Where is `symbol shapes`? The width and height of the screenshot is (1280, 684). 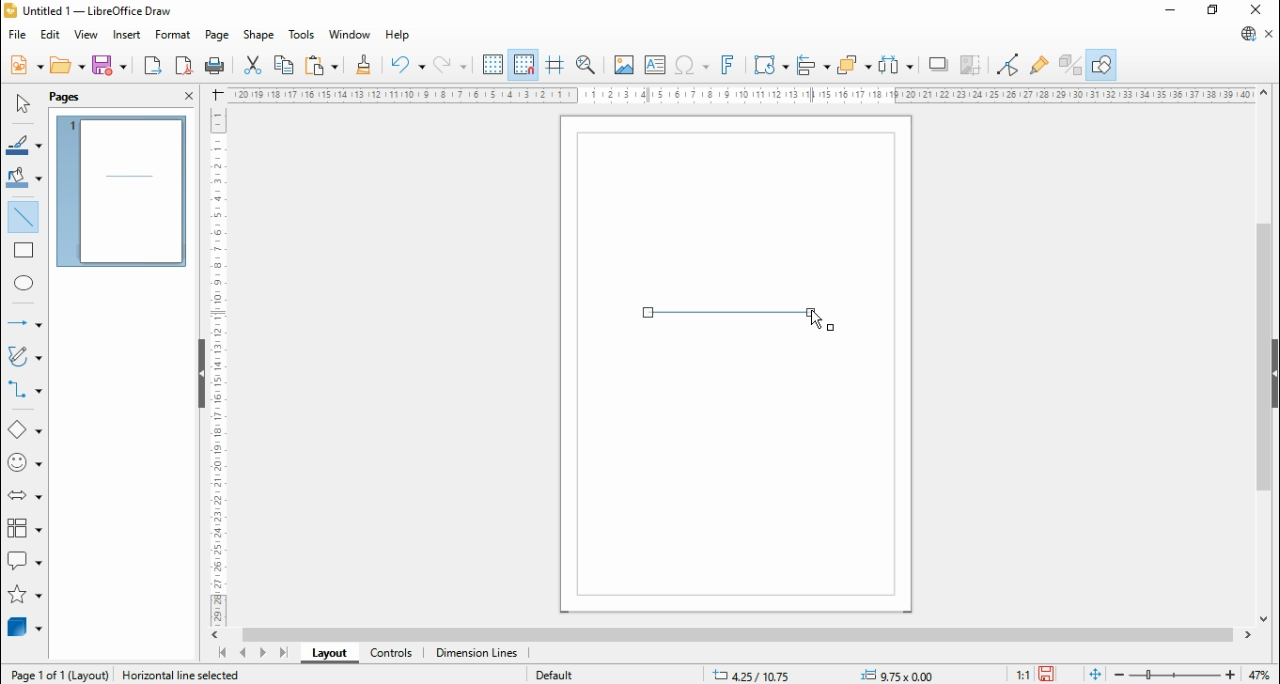 symbol shapes is located at coordinates (24, 463).